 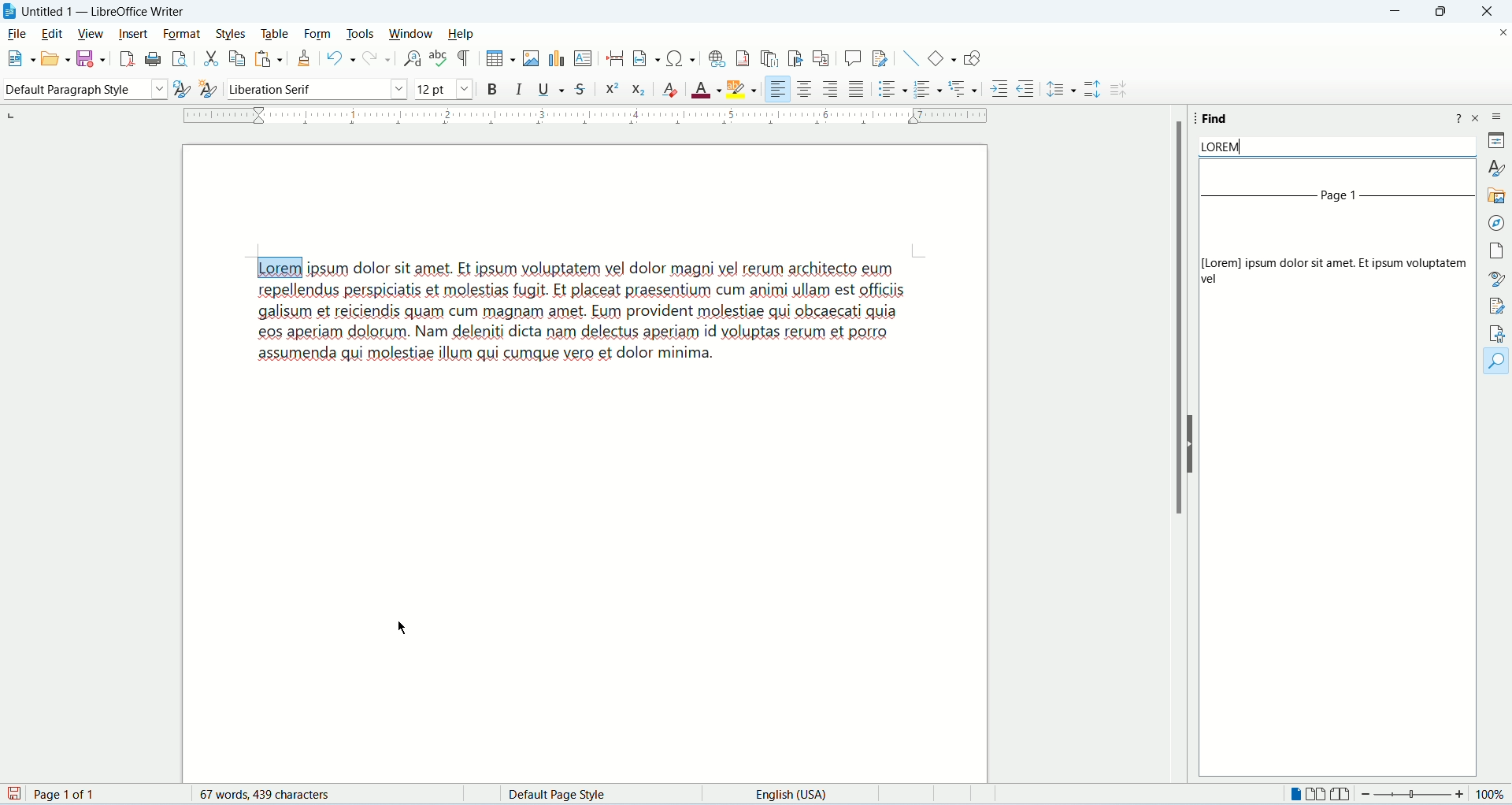 What do you see at coordinates (639, 58) in the screenshot?
I see `insert field` at bounding box center [639, 58].